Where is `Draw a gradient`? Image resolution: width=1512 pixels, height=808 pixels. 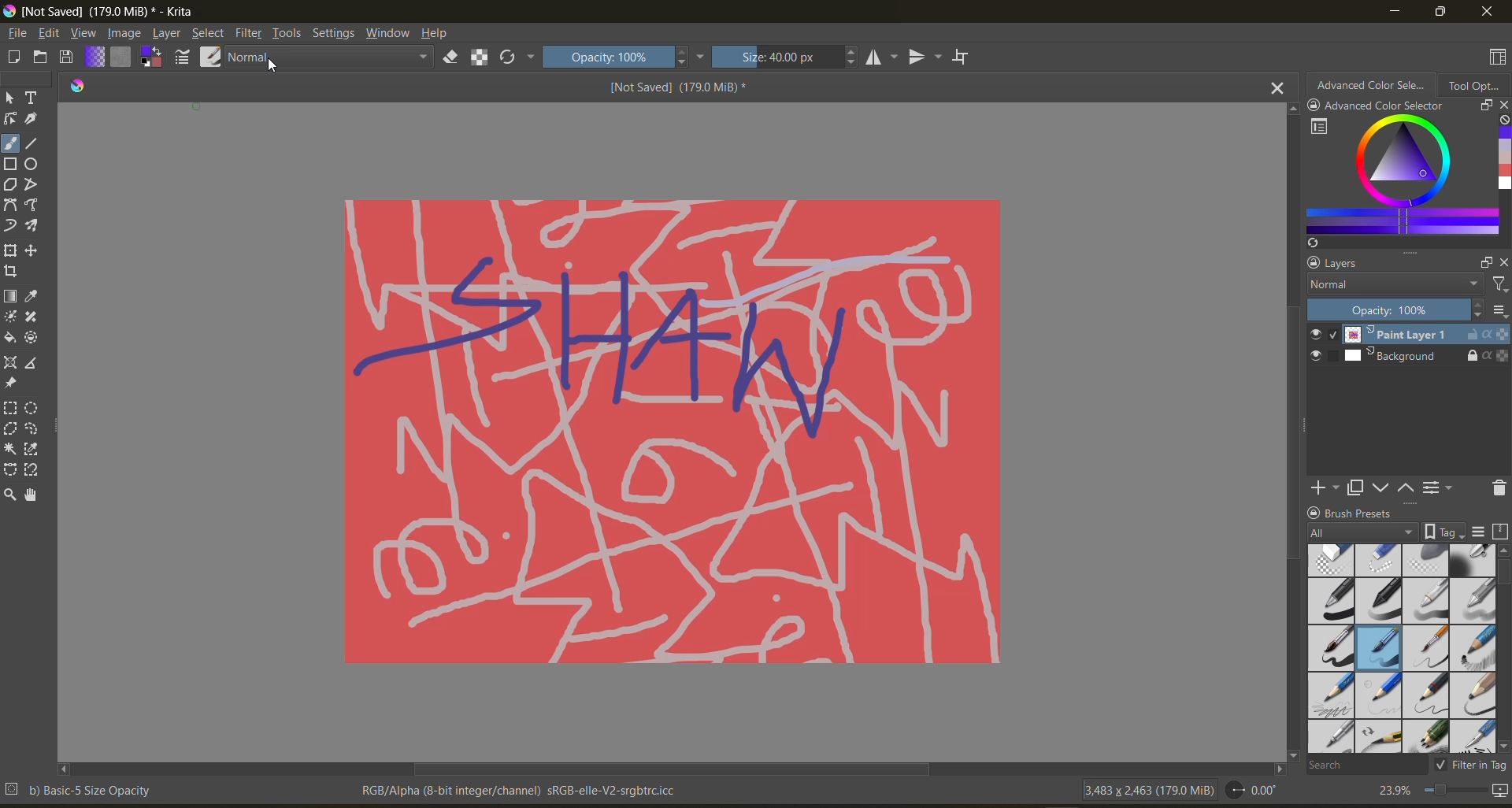
Draw a gradient is located at coordinates (11, 296).